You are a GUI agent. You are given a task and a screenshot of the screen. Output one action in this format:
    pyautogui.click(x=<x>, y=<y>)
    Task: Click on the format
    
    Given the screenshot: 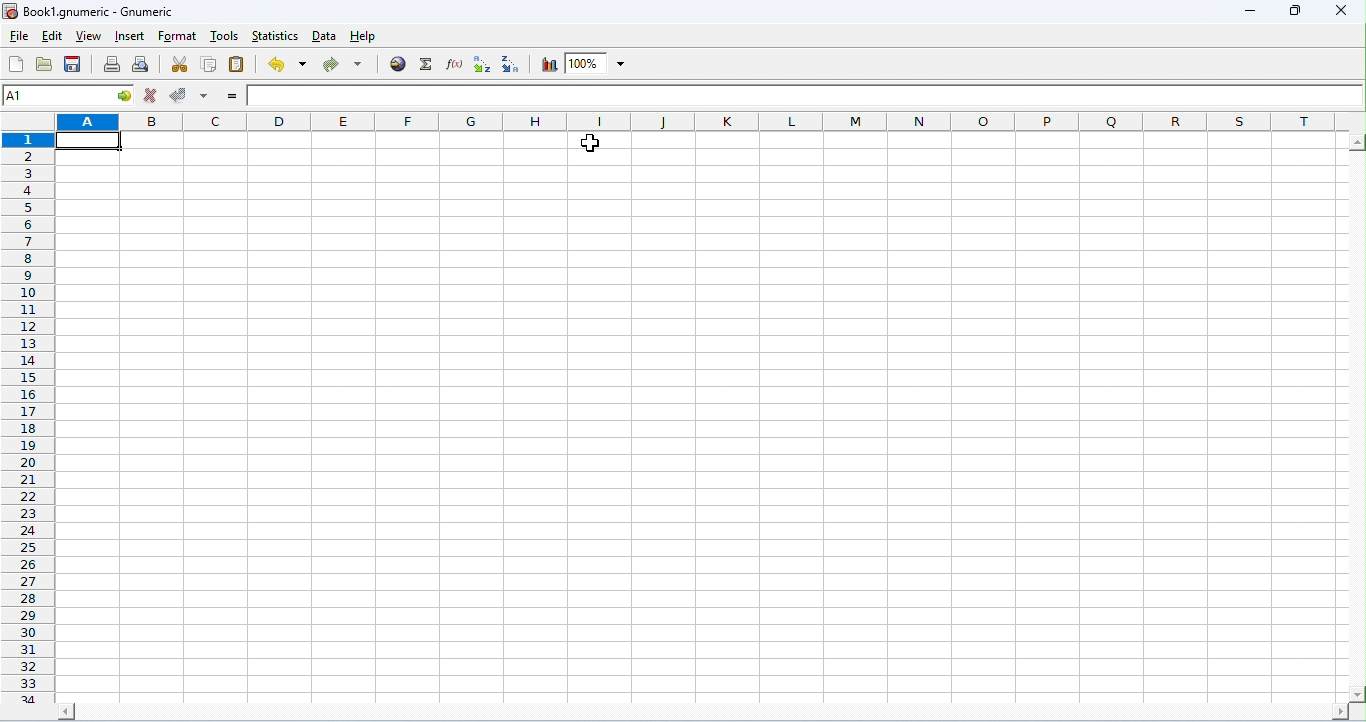 What is the action you would take?
    pyautogui.click(x=177, y=37)
    